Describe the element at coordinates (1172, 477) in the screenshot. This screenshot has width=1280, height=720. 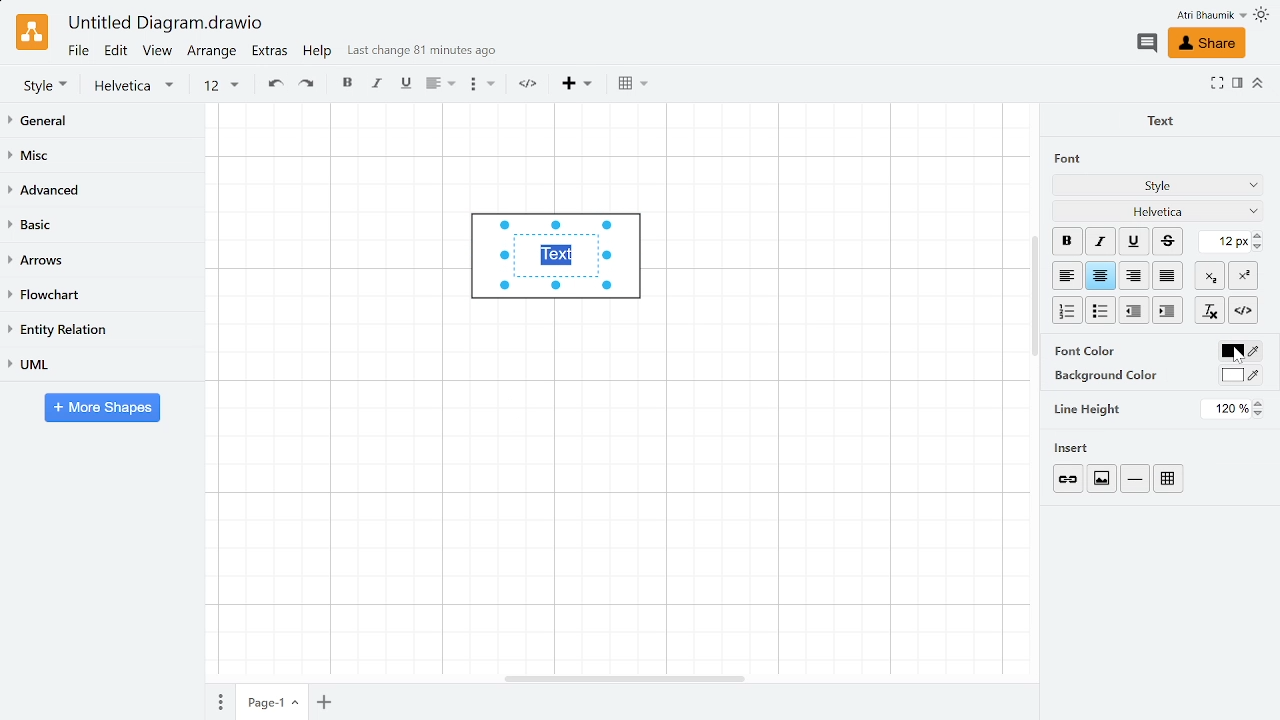
I see `Table` at that location.